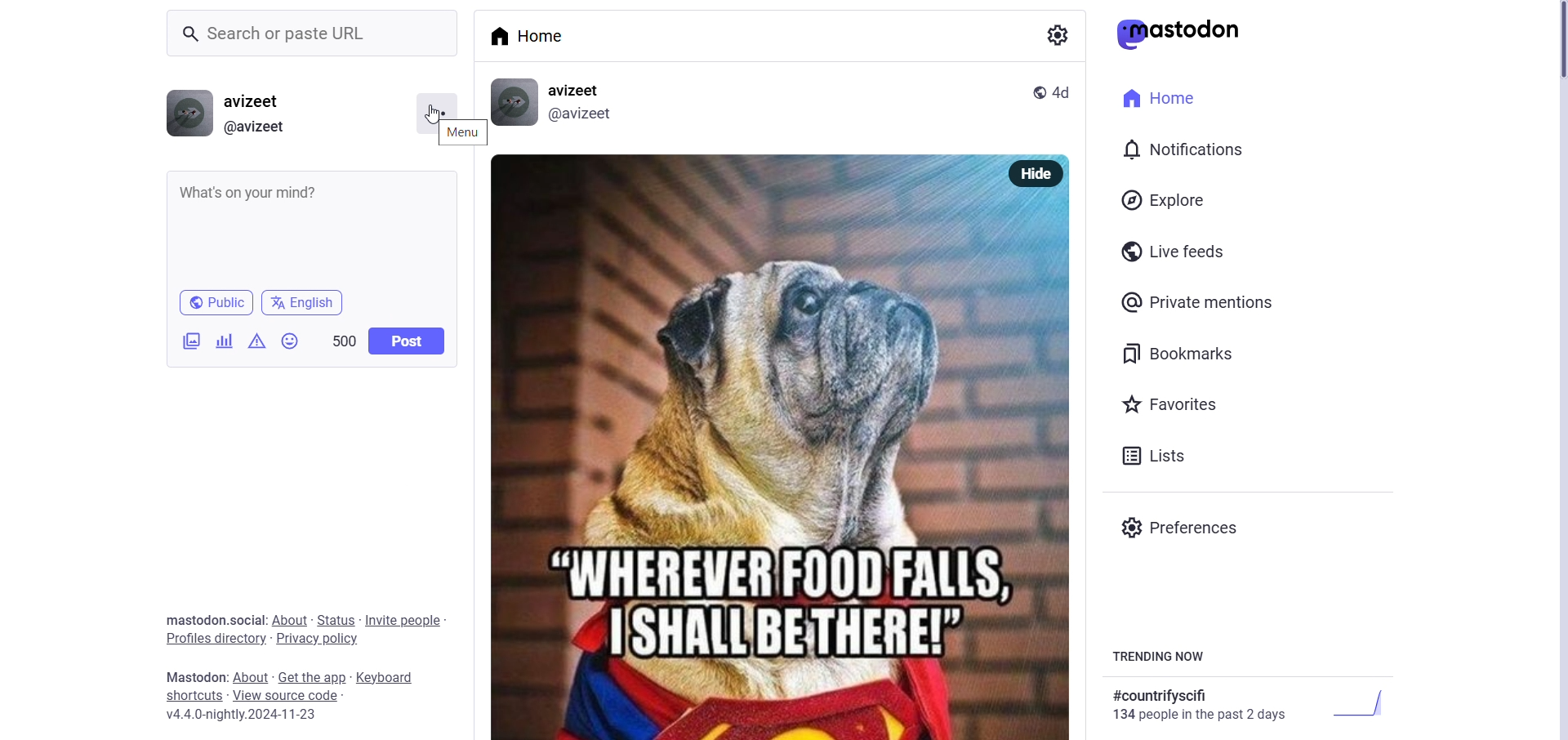  What do you see at coordinates (192, 698) in the screenshot?
I see `shortcut` at bounding box center [192, 698].